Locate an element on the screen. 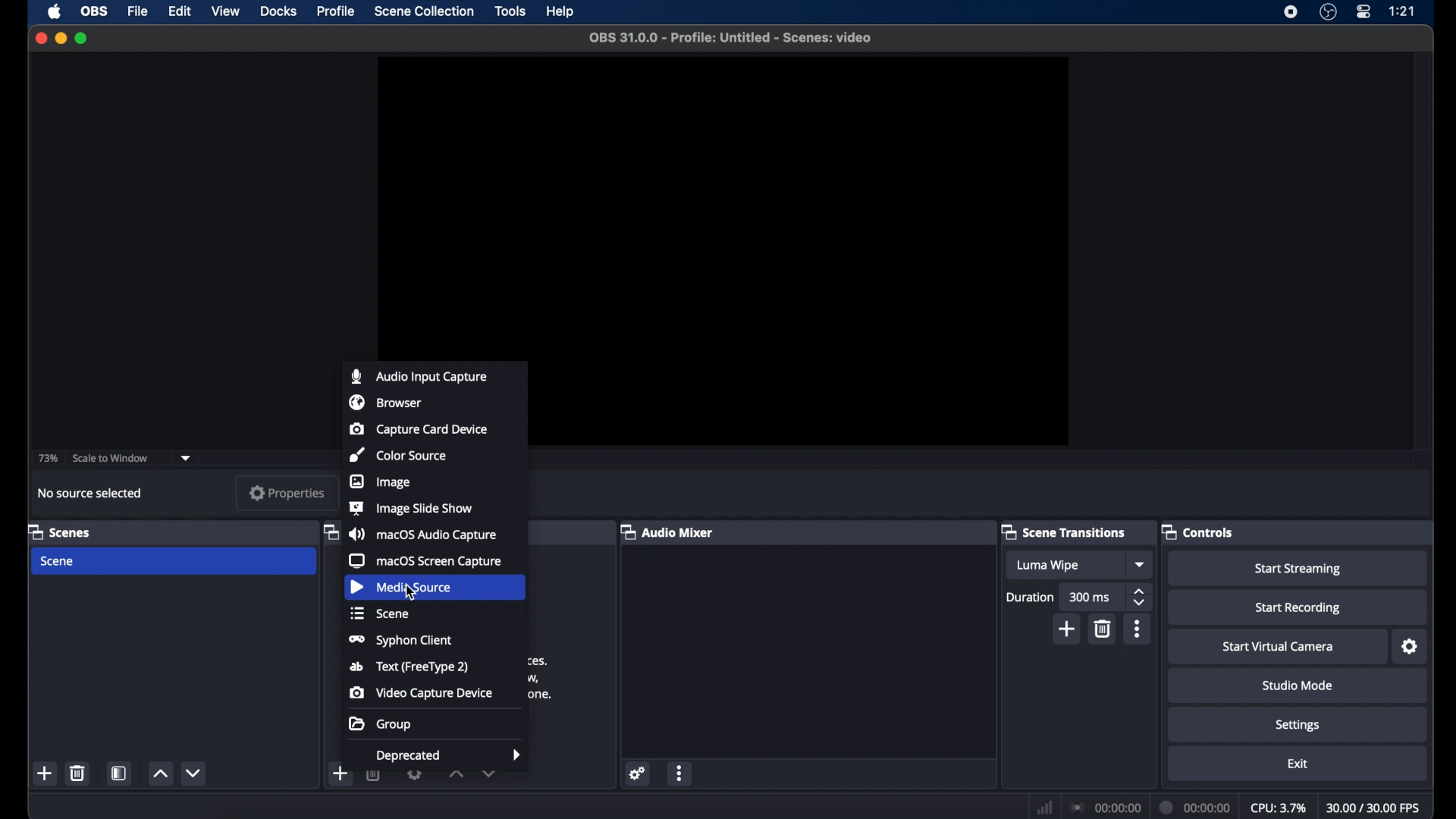  luma wipe is located at coordinates (1048, 565).